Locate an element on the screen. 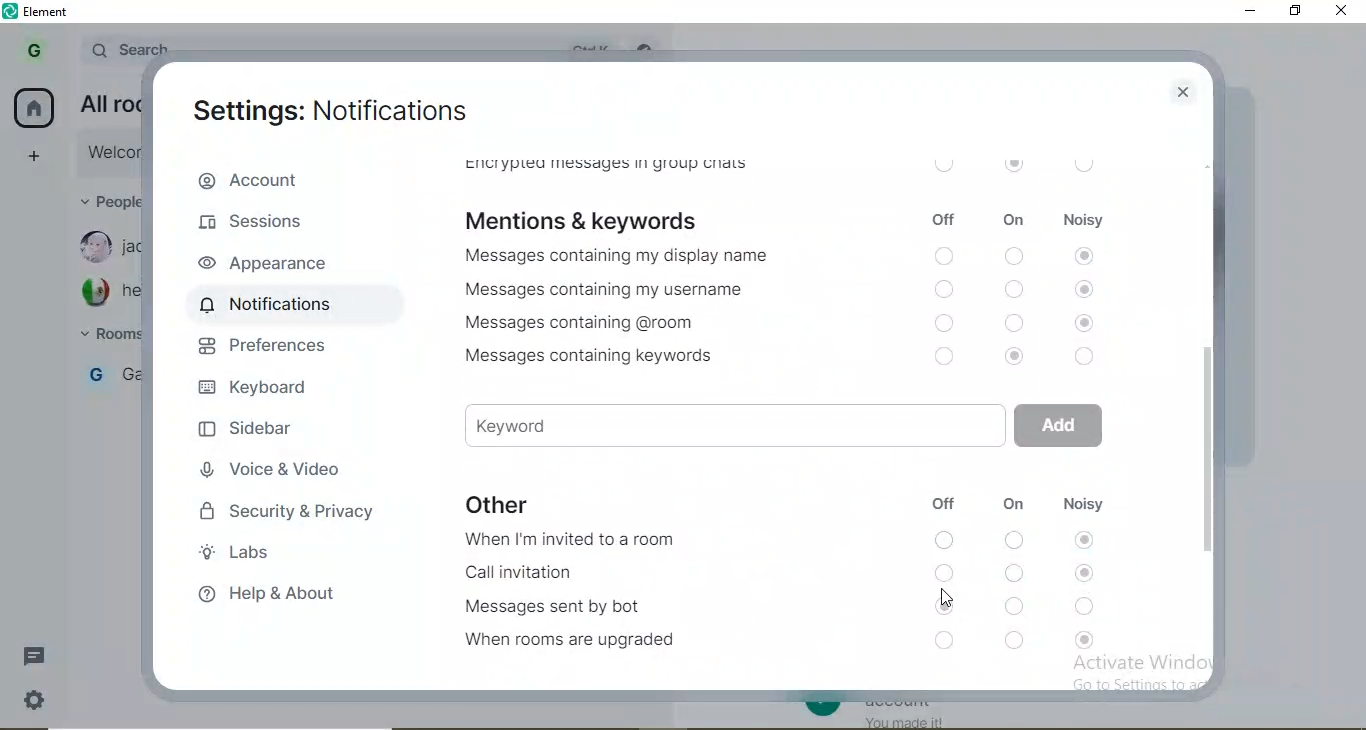 The height and width of the screenshot is (730, 1366). email is located at coordinates (110, 103).